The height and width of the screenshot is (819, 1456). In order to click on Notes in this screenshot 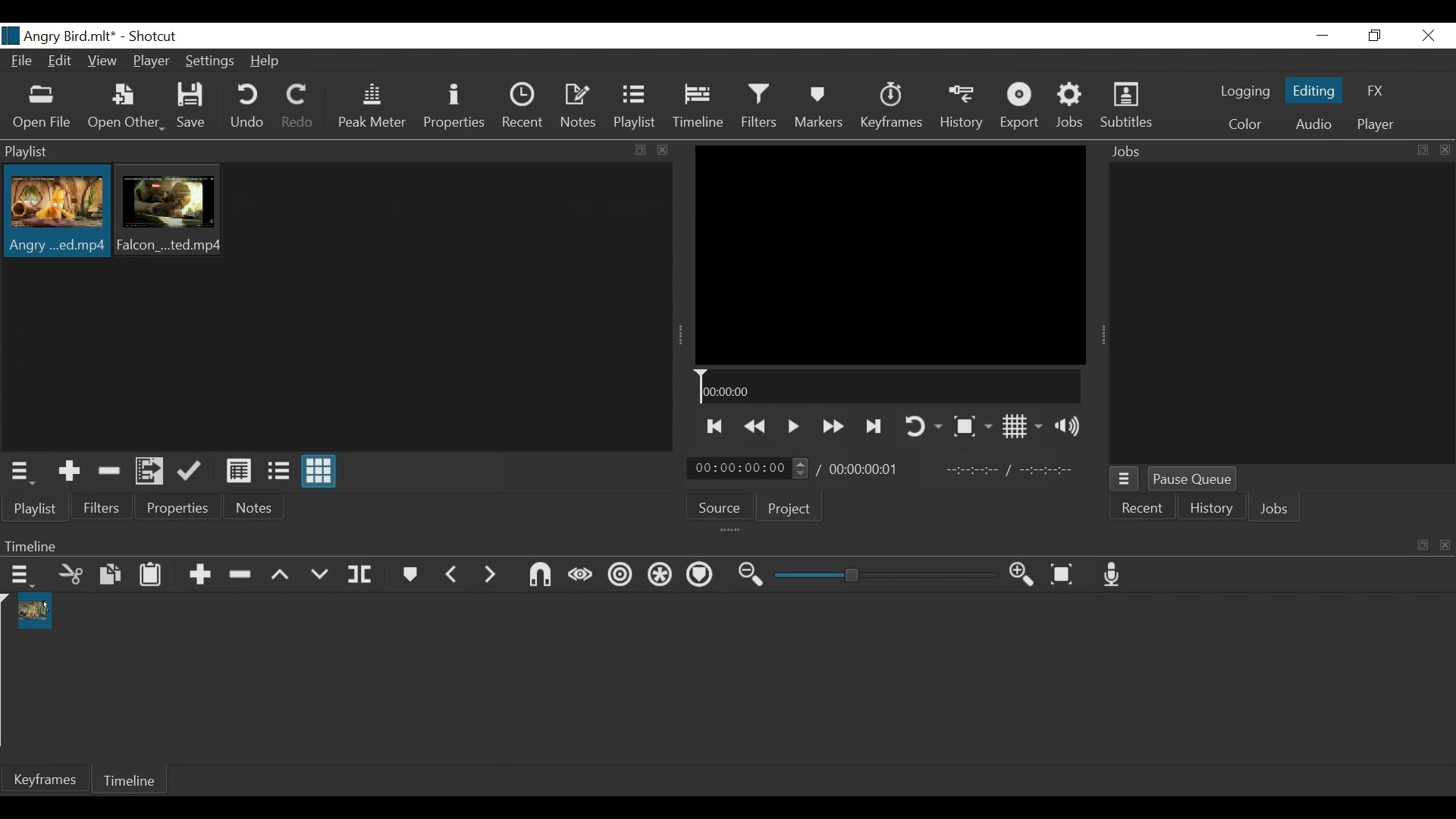, I will do `click(579, 108)`.